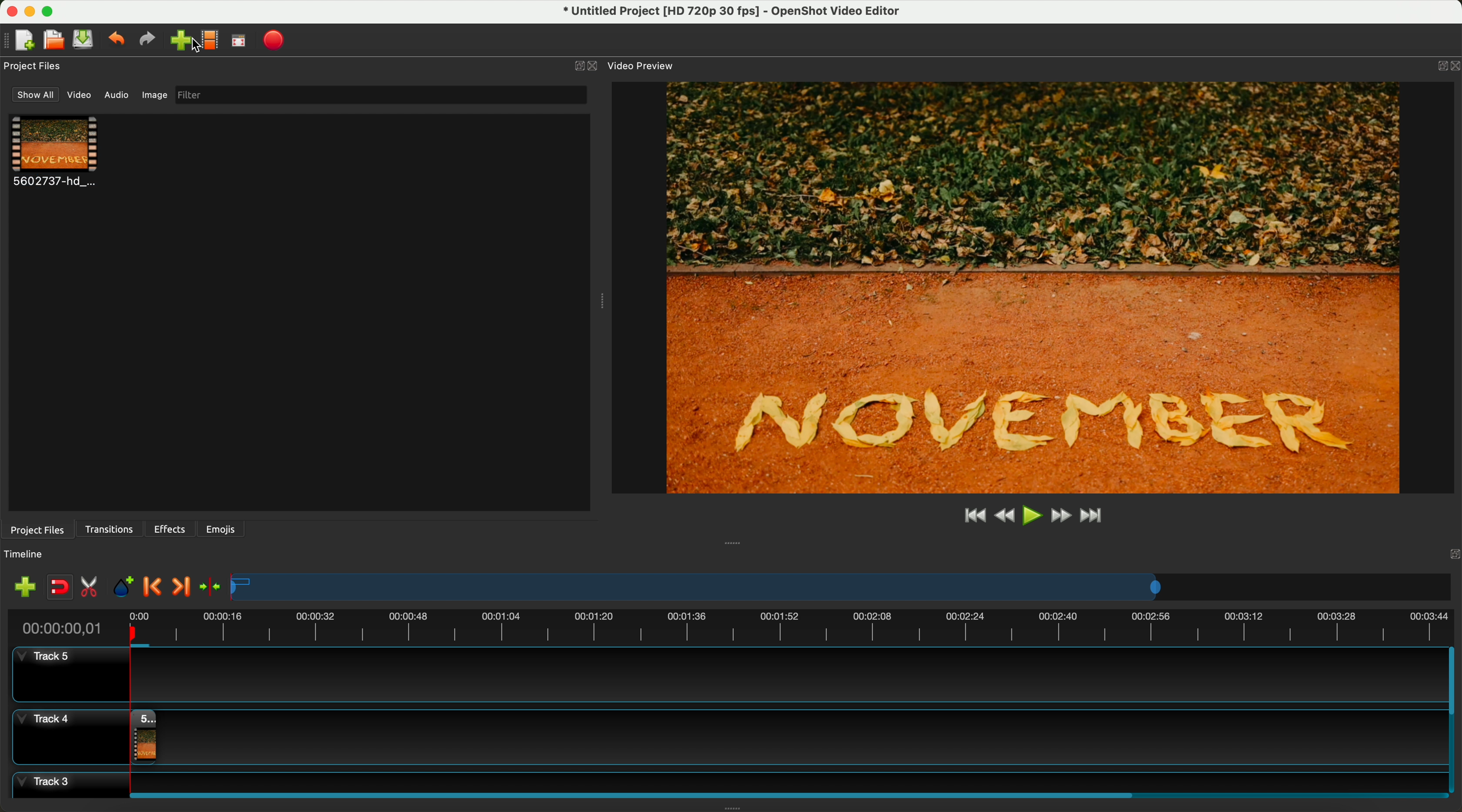  I want to click on show all, so click(36, 95).